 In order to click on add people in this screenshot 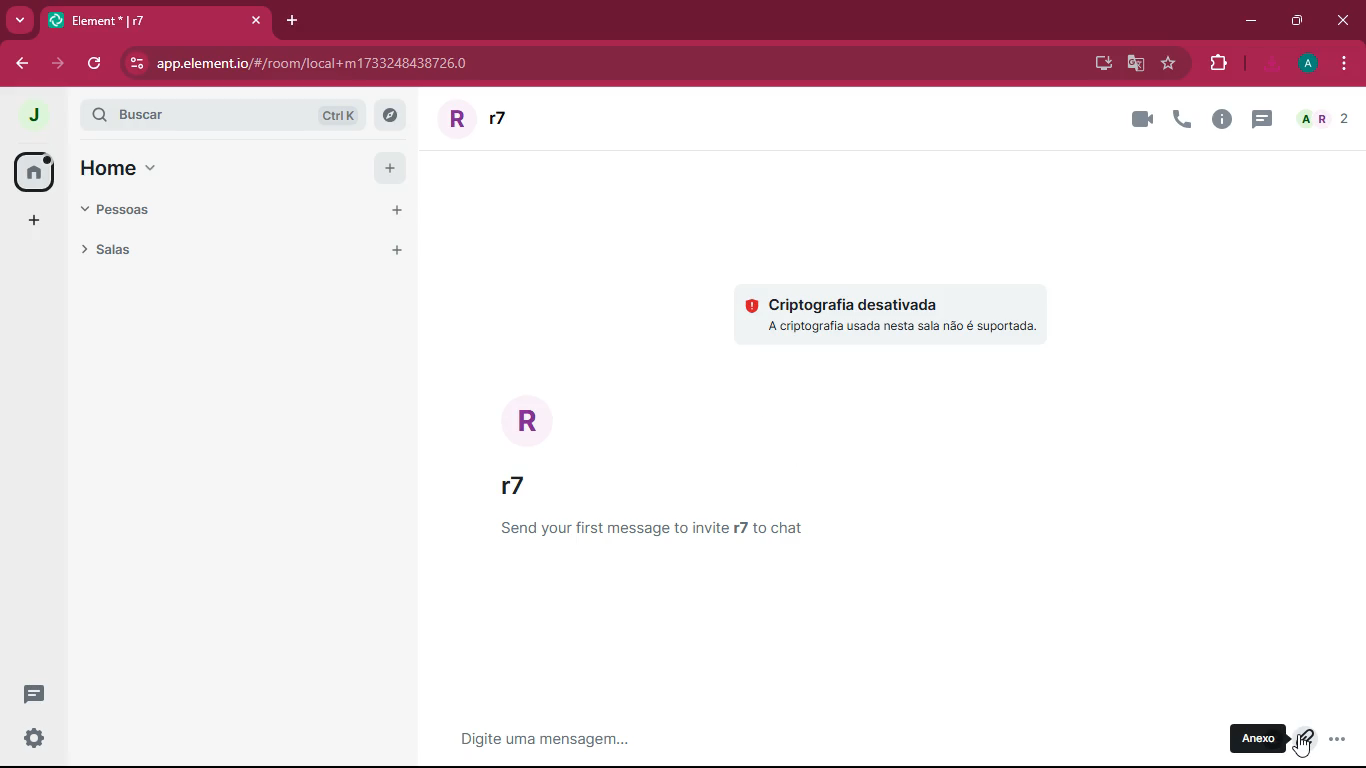, I will do `click(391, 211)`.